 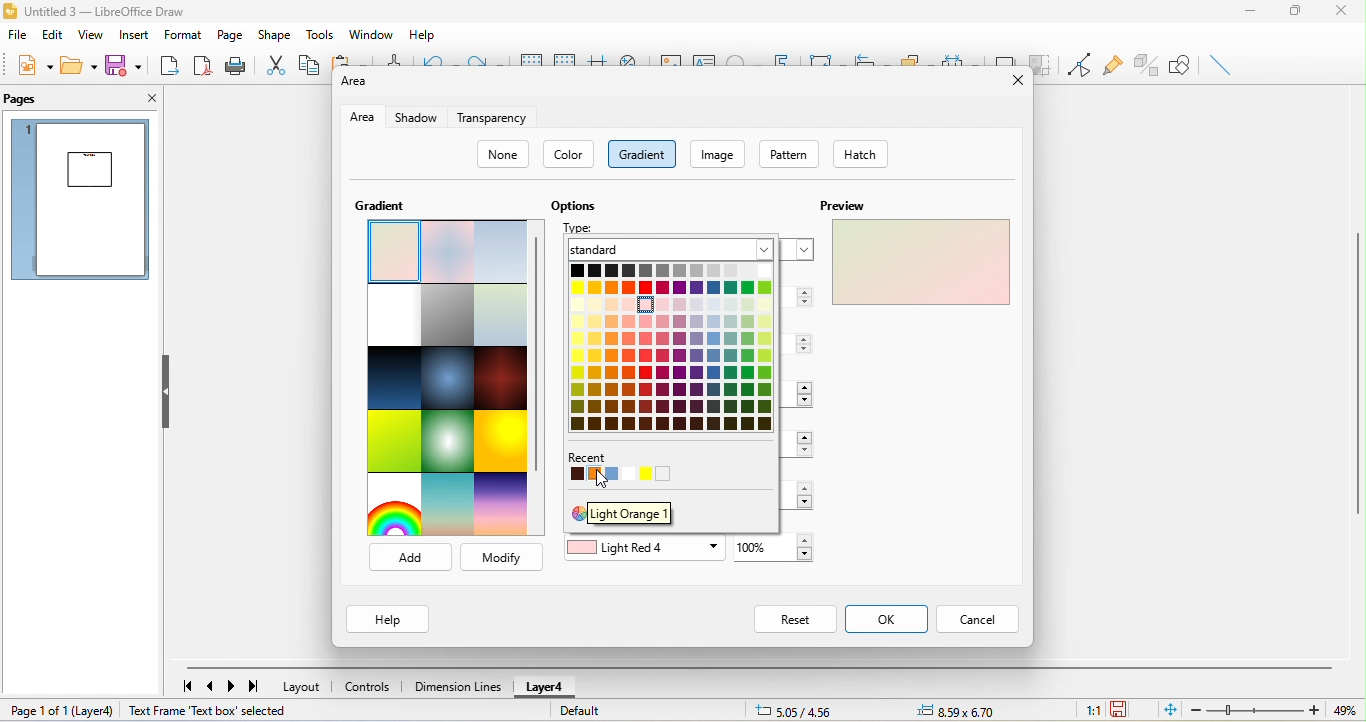 What do you see at coordinates (532, 57) in the screenshot?
I see `display to grids` at bounding box center [532, 57].